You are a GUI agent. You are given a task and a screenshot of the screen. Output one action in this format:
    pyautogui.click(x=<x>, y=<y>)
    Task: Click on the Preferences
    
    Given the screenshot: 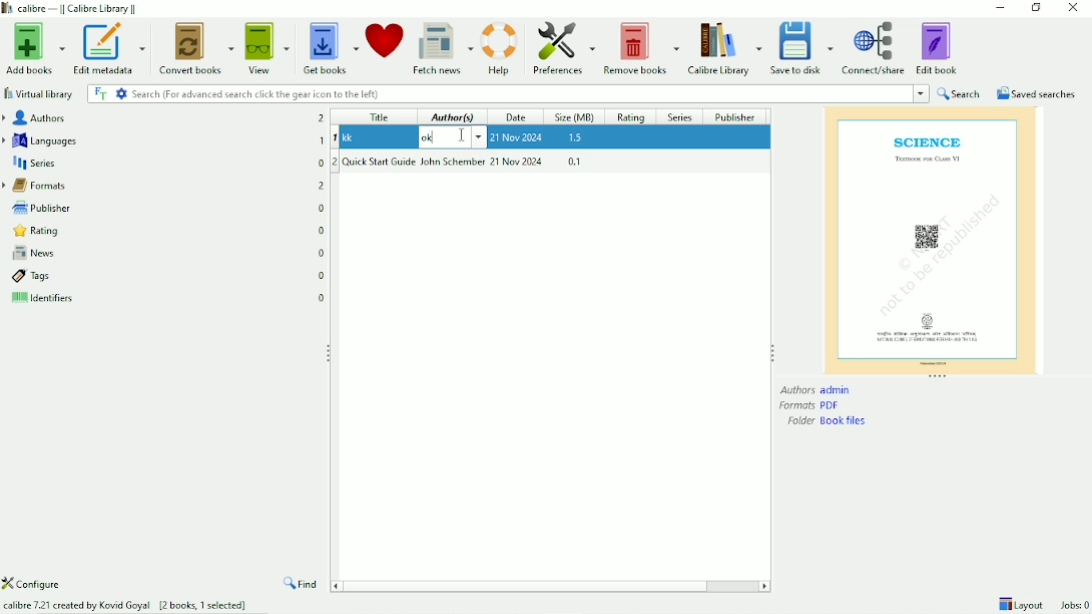 What is the action you would take?
    pyautogui.click(x=561, y=48)
    